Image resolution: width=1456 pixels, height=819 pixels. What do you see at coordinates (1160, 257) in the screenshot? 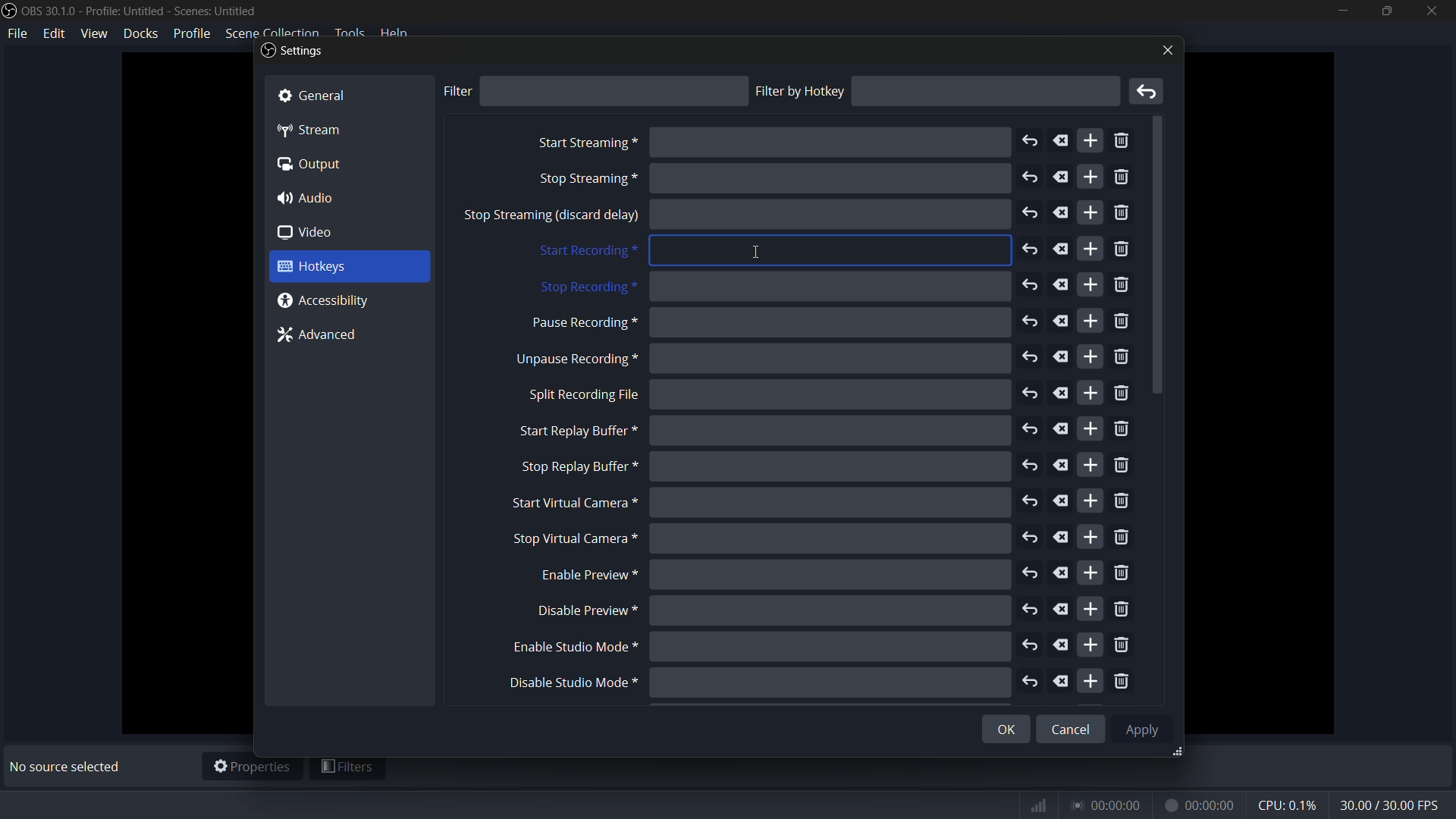
I see `scroll down` at bounding box center [1160, 257].